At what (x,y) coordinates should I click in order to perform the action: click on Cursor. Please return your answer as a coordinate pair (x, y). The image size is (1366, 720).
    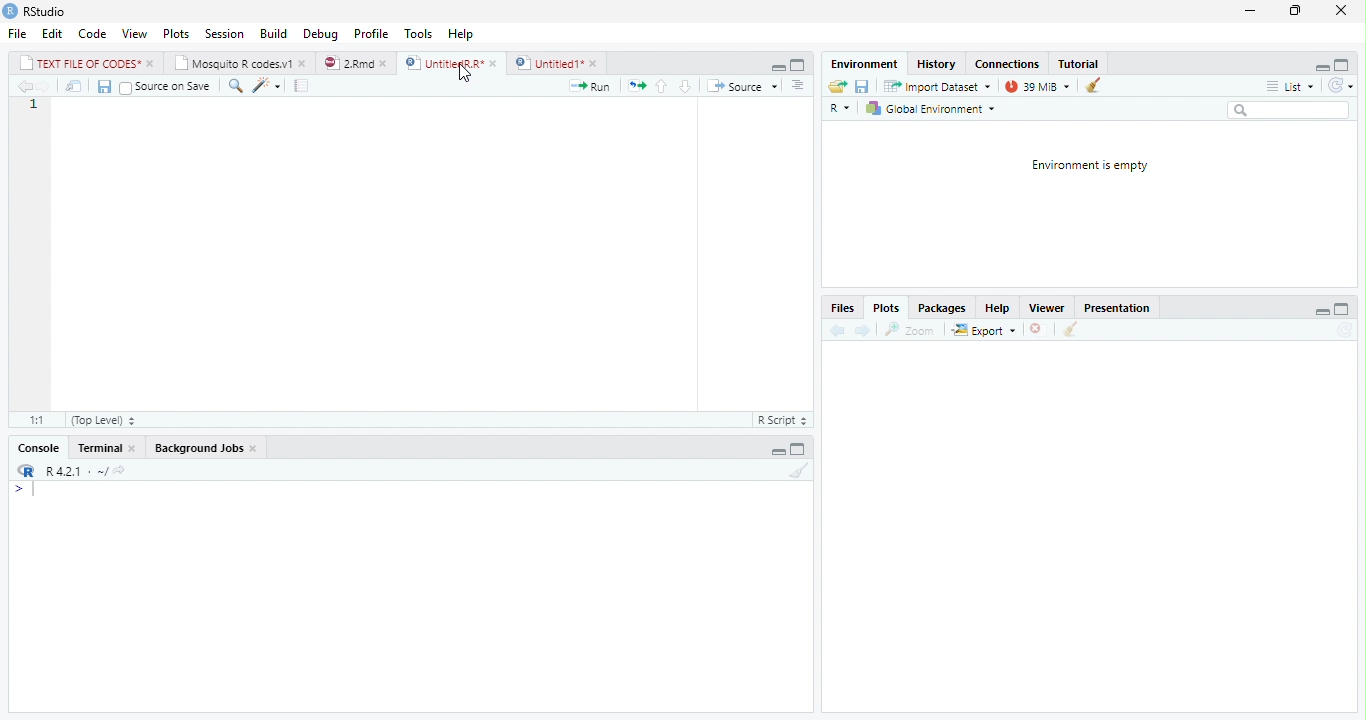
    Looking at the image, I should click on (464, 73).